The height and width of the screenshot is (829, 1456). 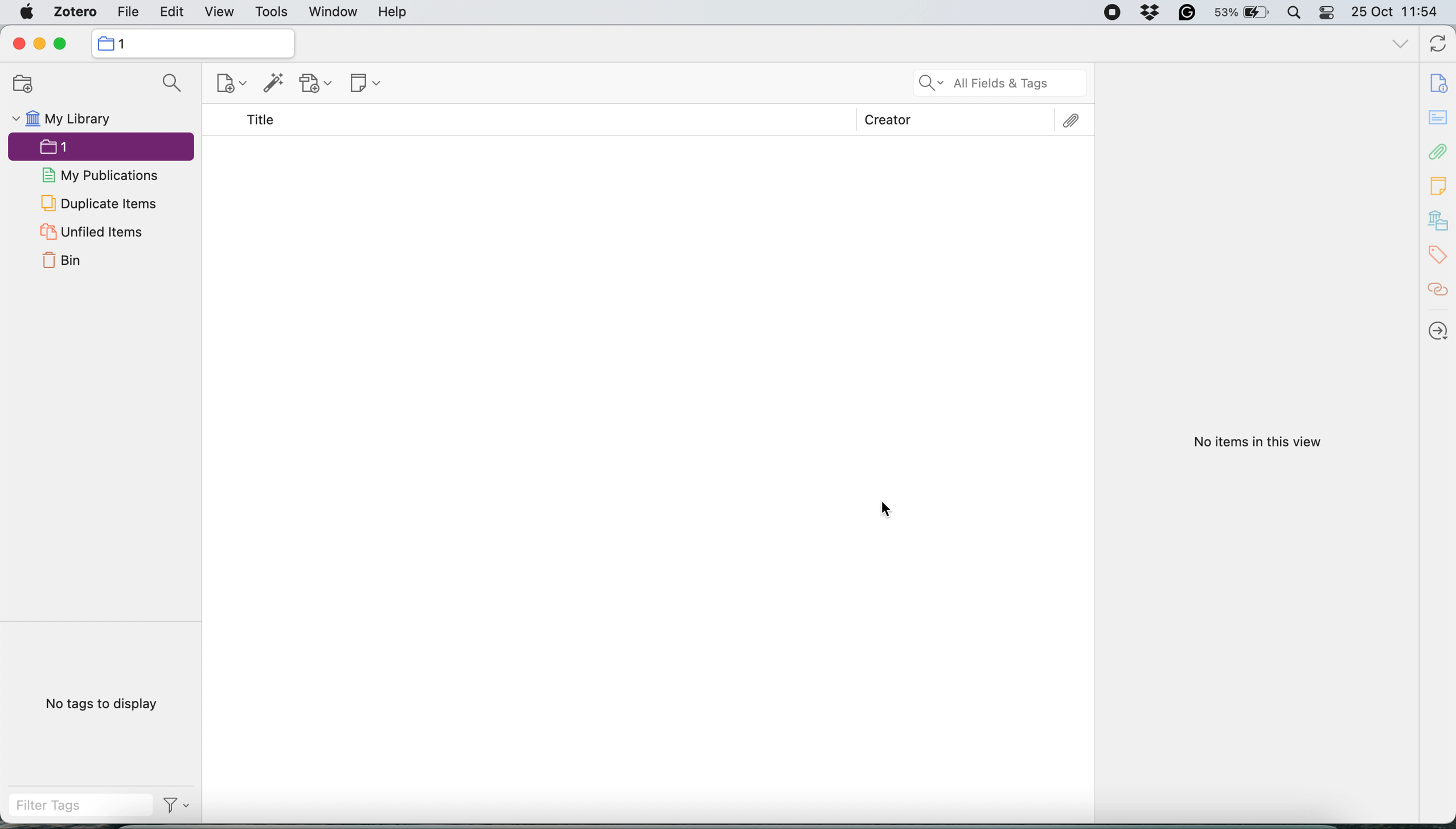 I want to click on close, so click(x=18, y=43).